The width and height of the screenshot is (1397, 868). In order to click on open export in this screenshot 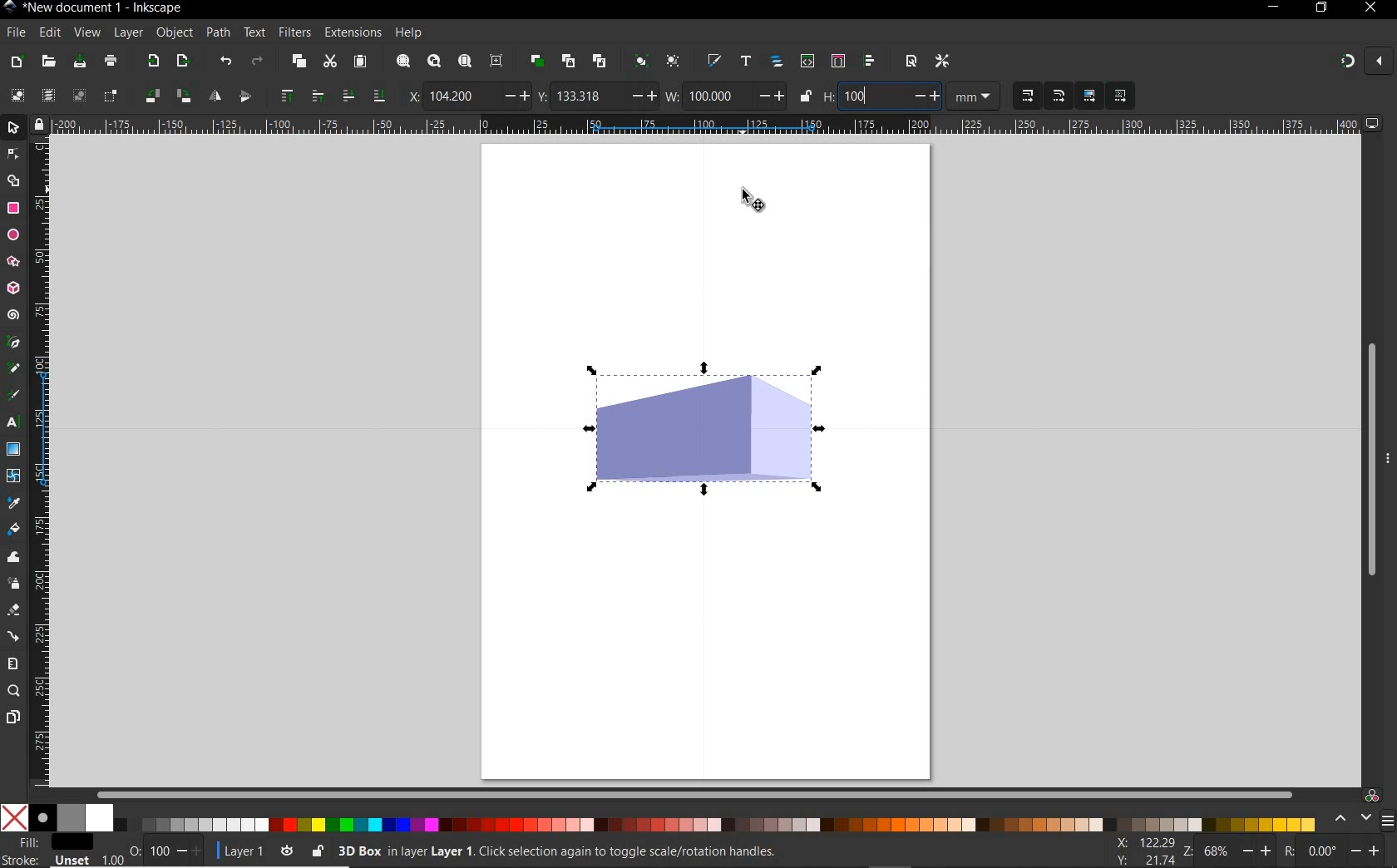, I will do `click(182, 60)`.